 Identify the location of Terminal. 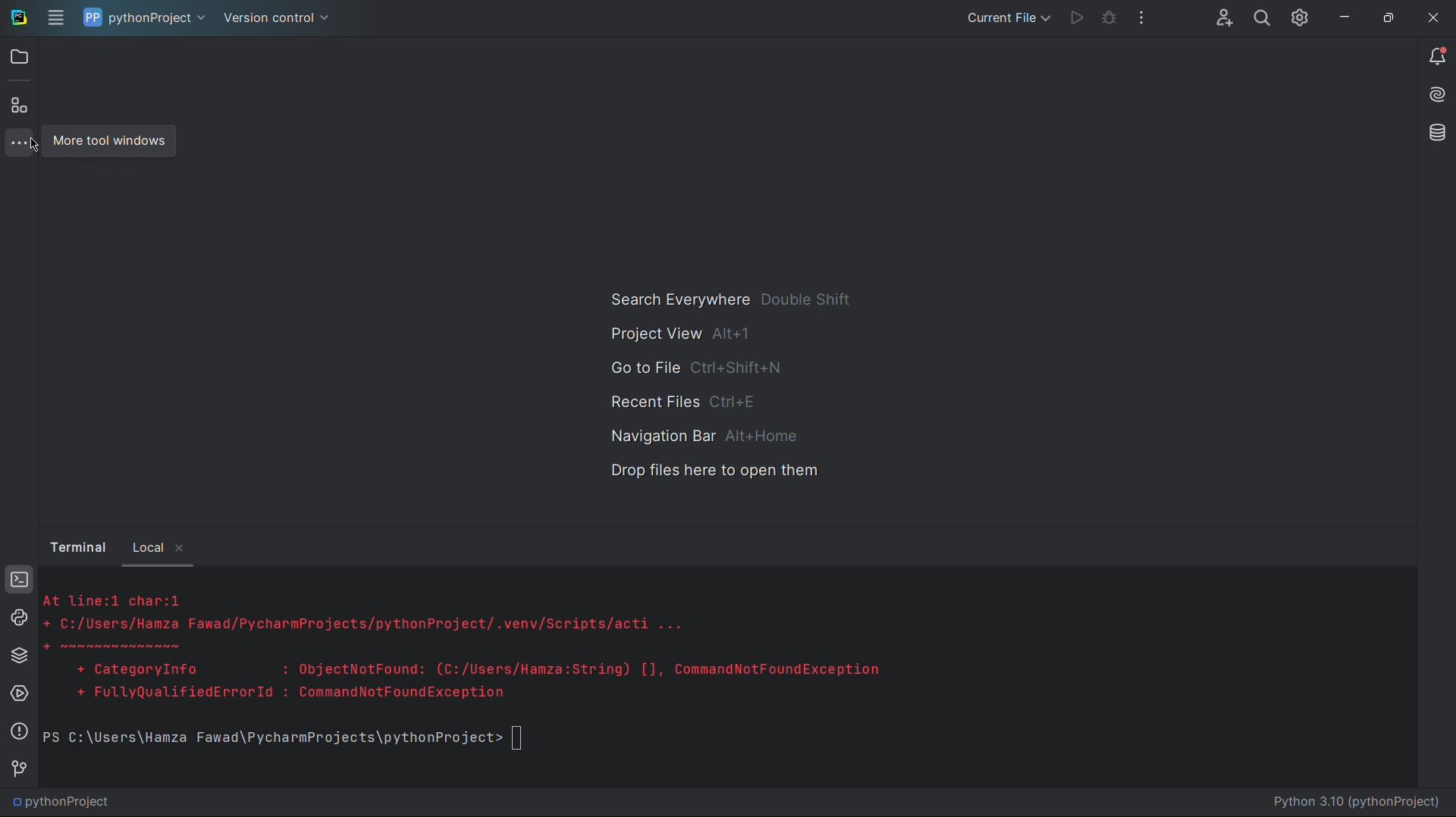
(18, 581).